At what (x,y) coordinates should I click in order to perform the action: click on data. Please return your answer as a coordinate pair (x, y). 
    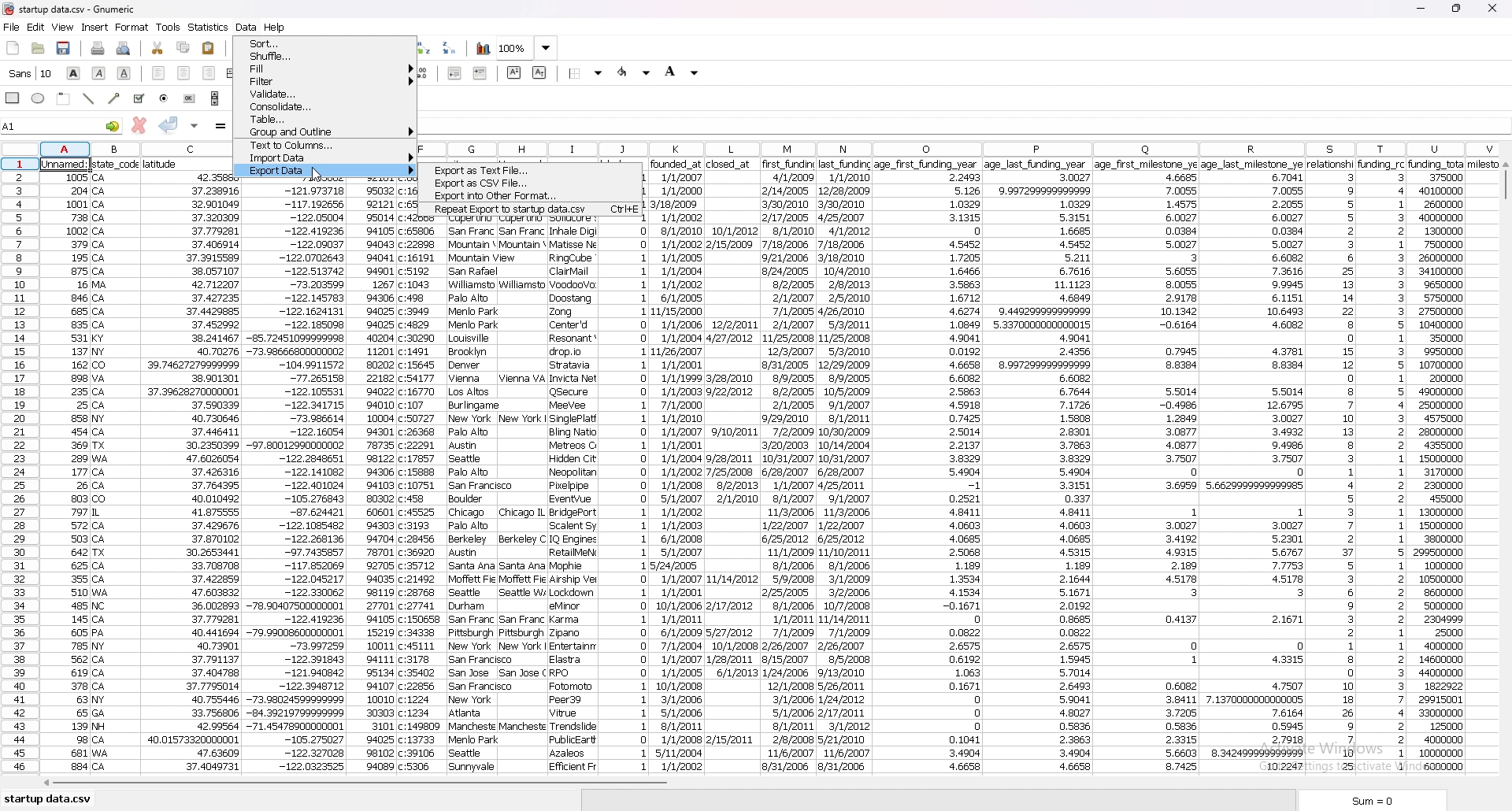
    Looking at the image, I should click on (1039, 468).